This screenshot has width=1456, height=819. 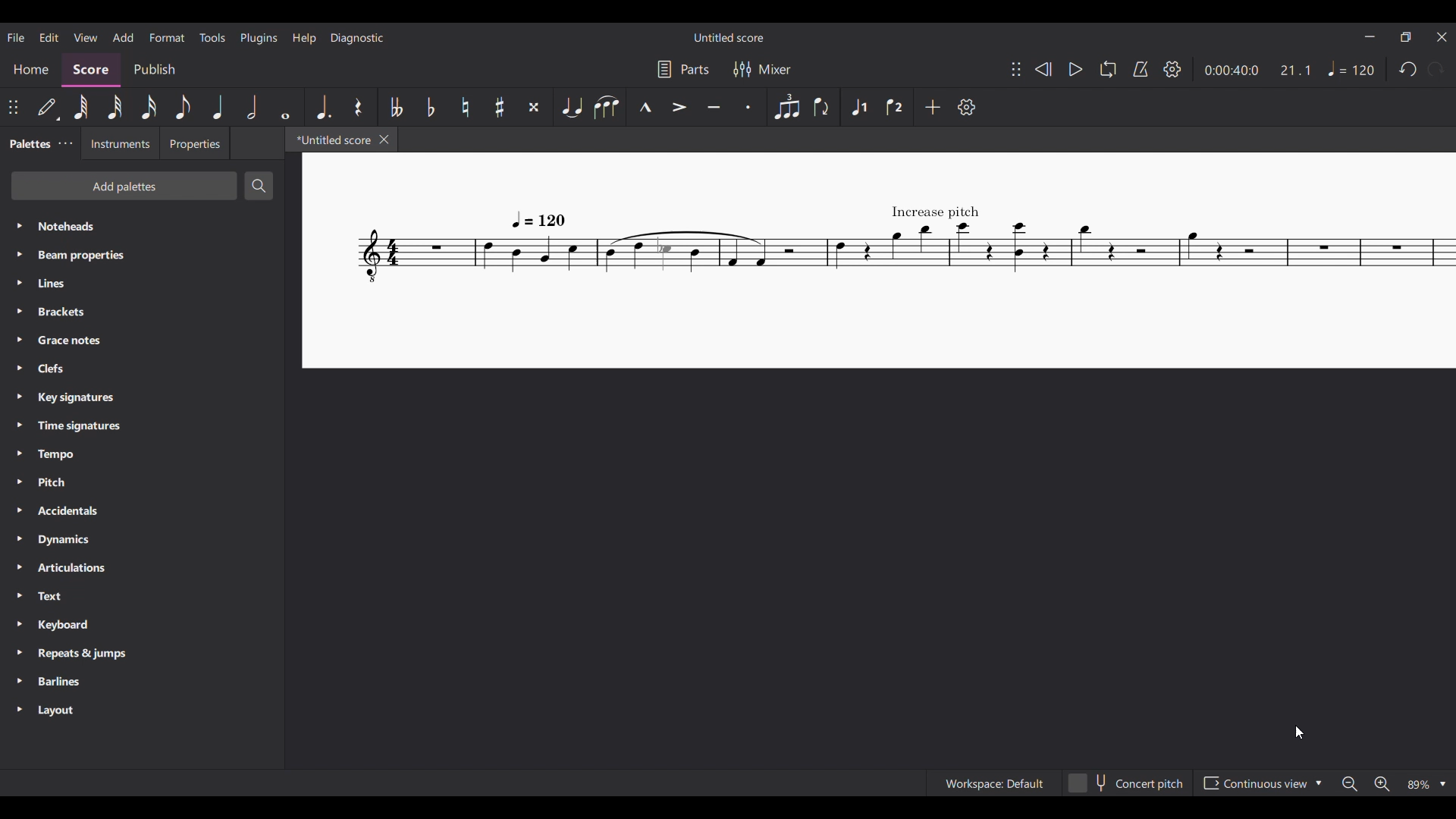 I want to click on Cursor position unchanged, so click(x=1299, y=733).